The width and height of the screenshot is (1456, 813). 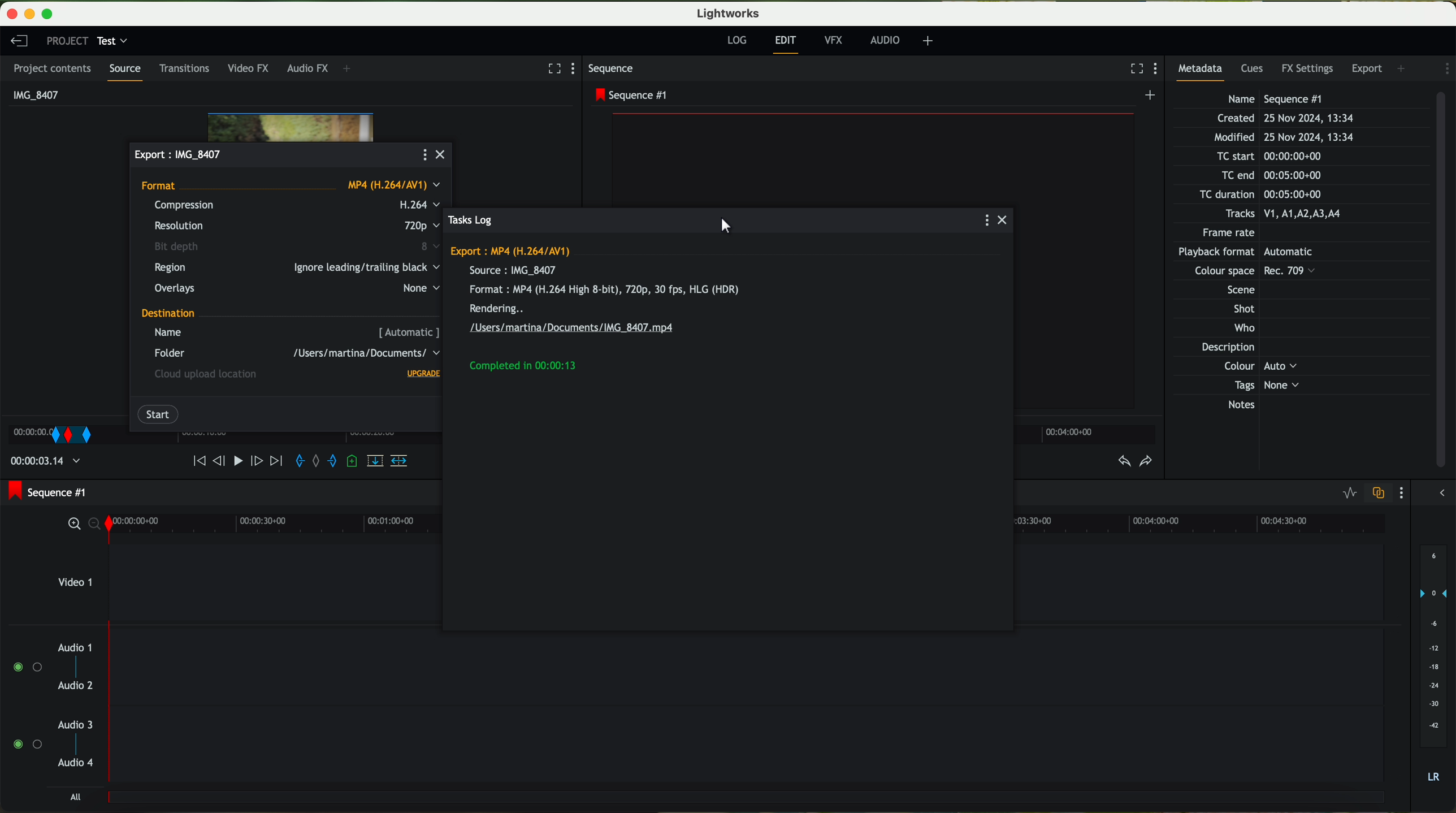 What do you see at coordinates (301, 462) in the screenshot?
I see `add an in mark` at bounding box center [301, 462].